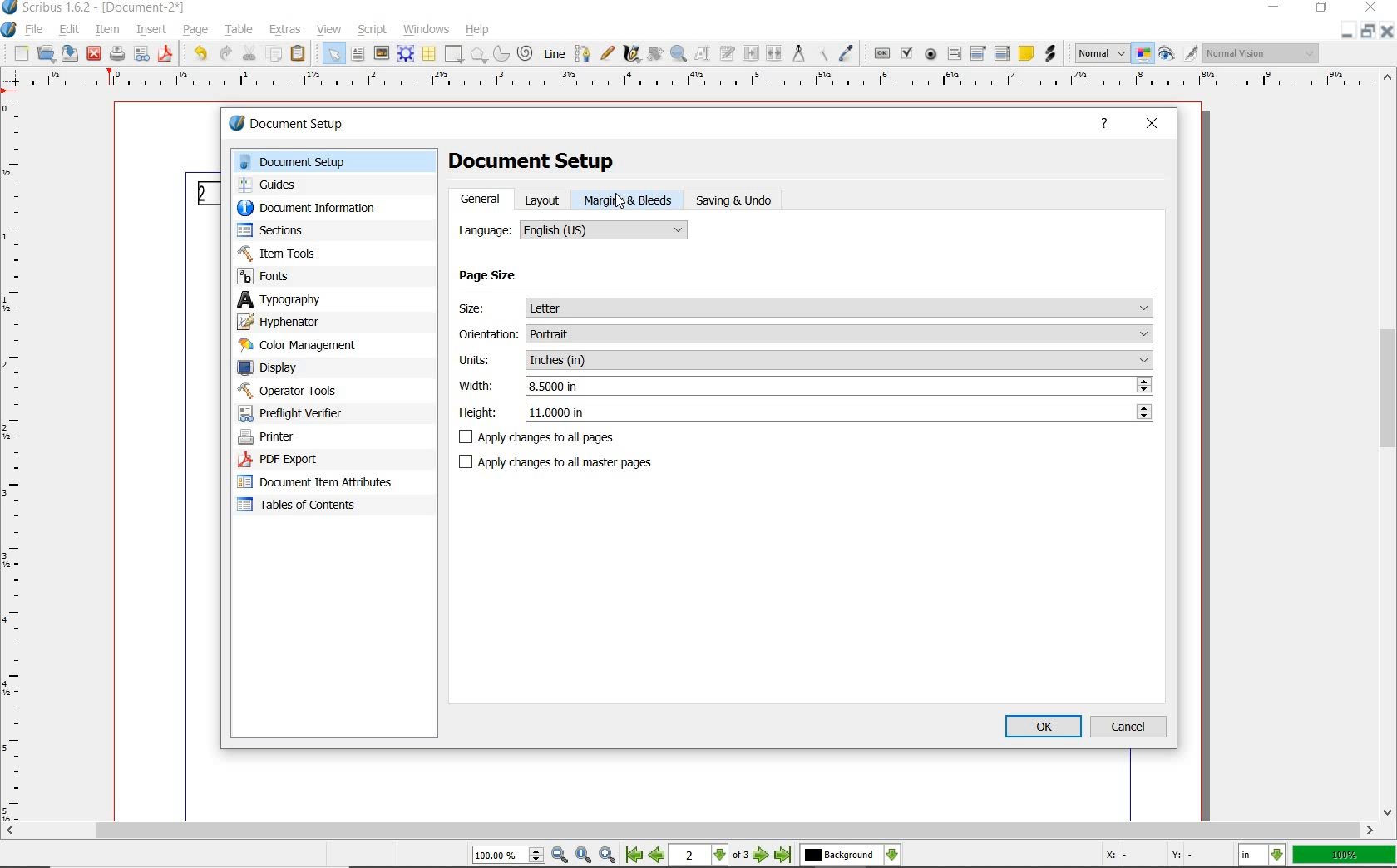 This screenshot has width=1397, height=868. I want to click on printer, so click(269, 436).